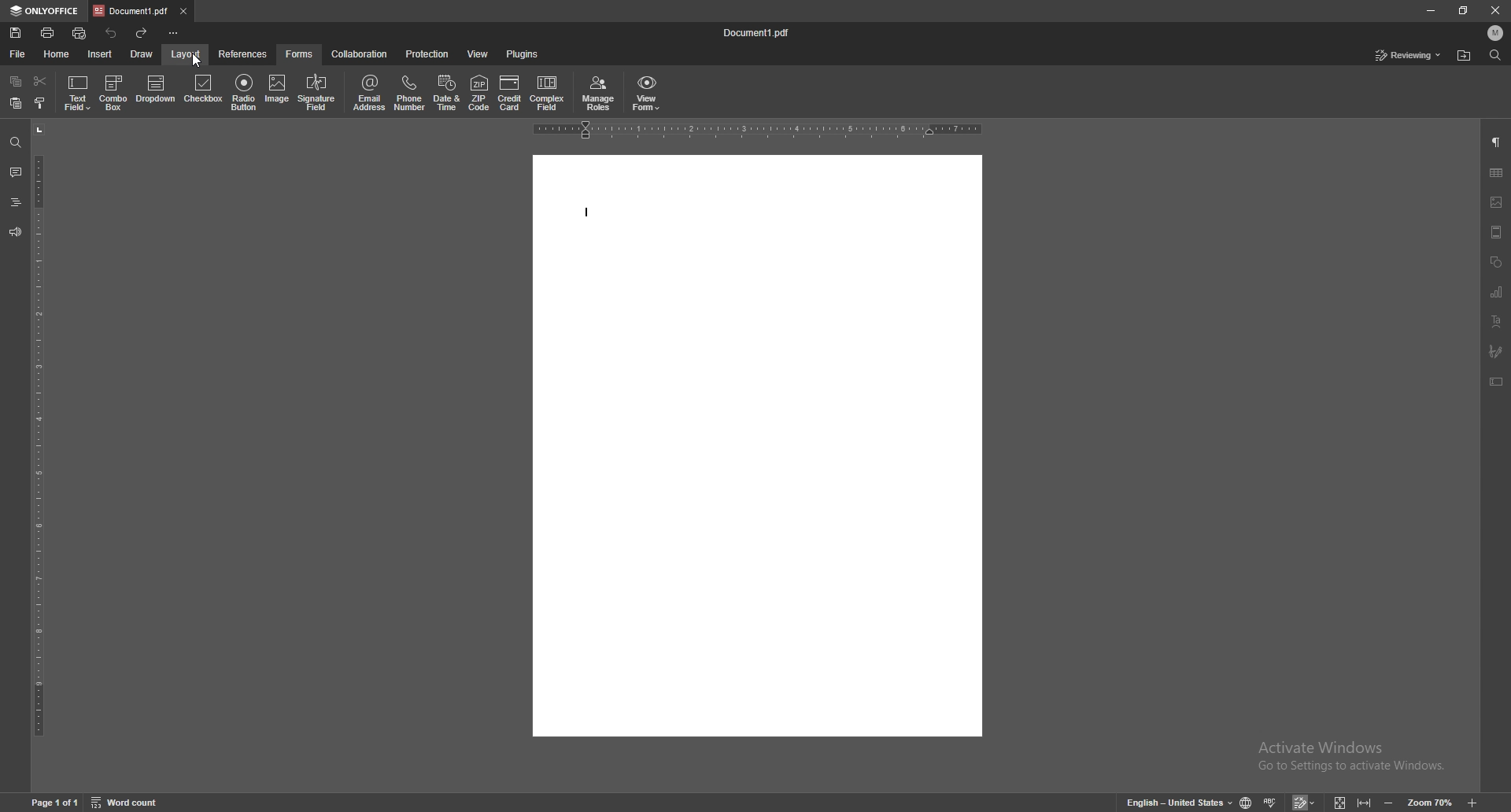 The width and height of the screenshot is (1511, 812). Describe the element at coordinates (40, 81) in the screenshot. I see `cut` at that location.